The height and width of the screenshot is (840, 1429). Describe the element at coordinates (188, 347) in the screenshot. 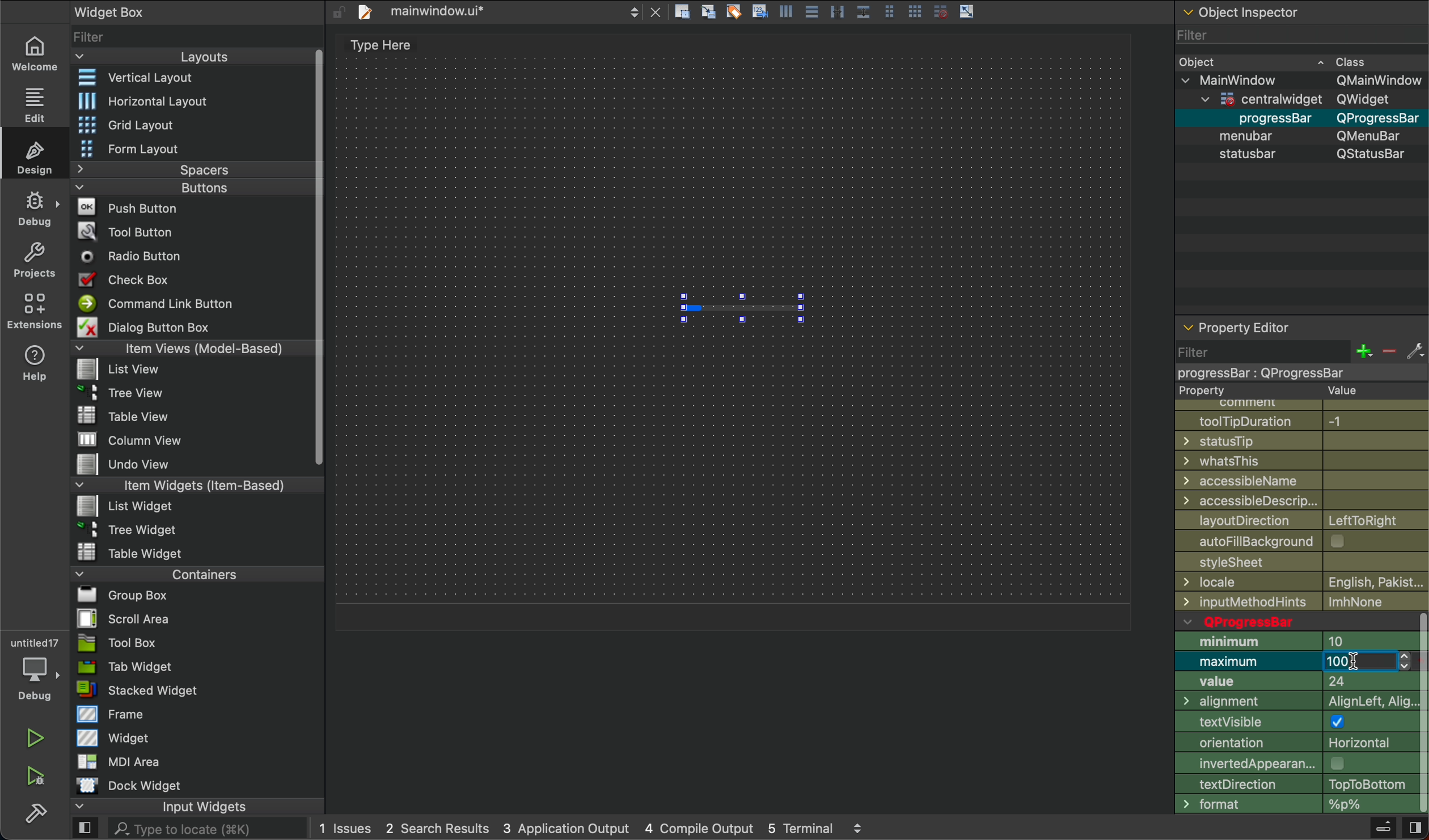

I see `Items View` at that location.